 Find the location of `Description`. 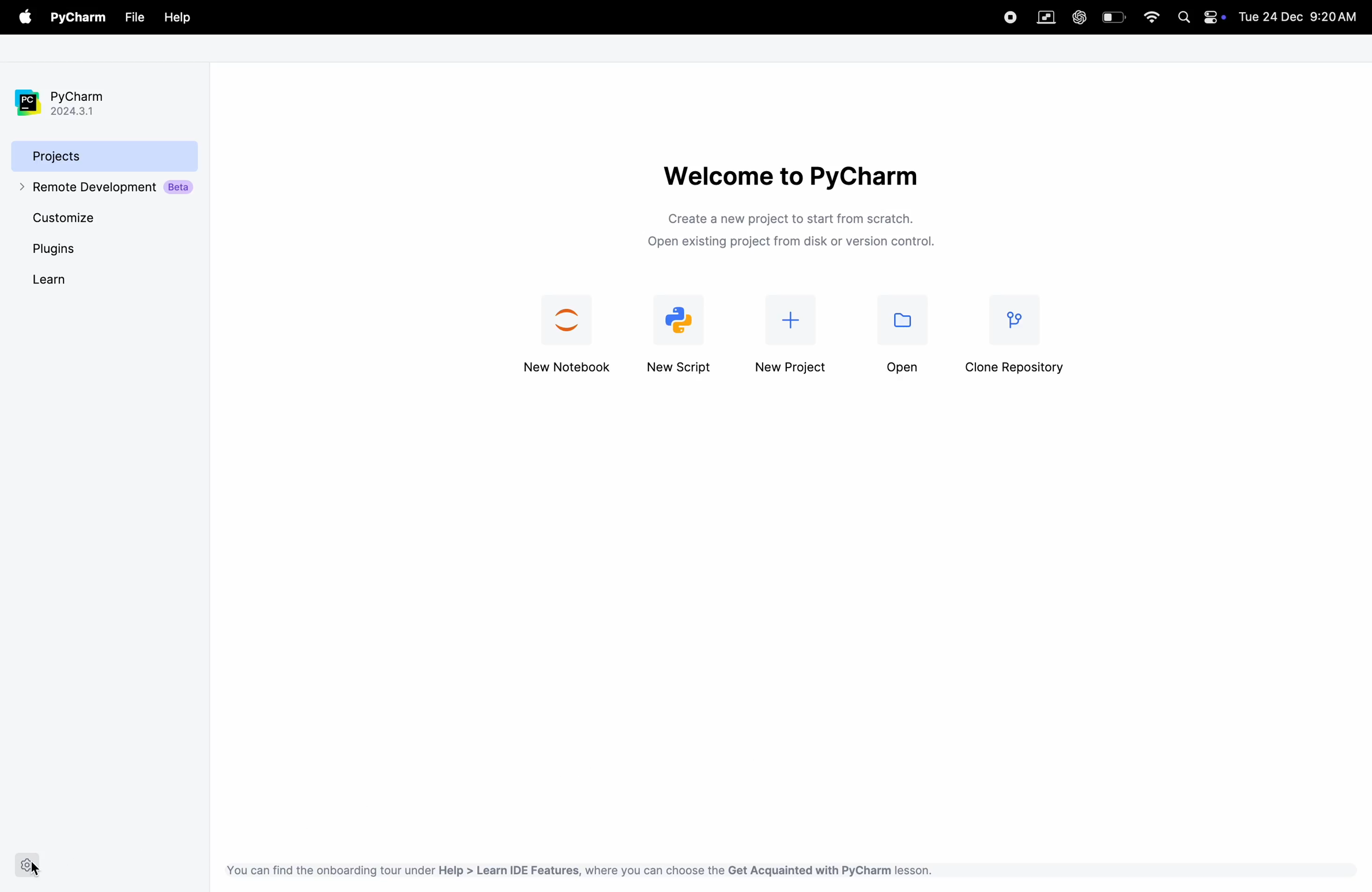

Description is located at coordinates (797, 233).